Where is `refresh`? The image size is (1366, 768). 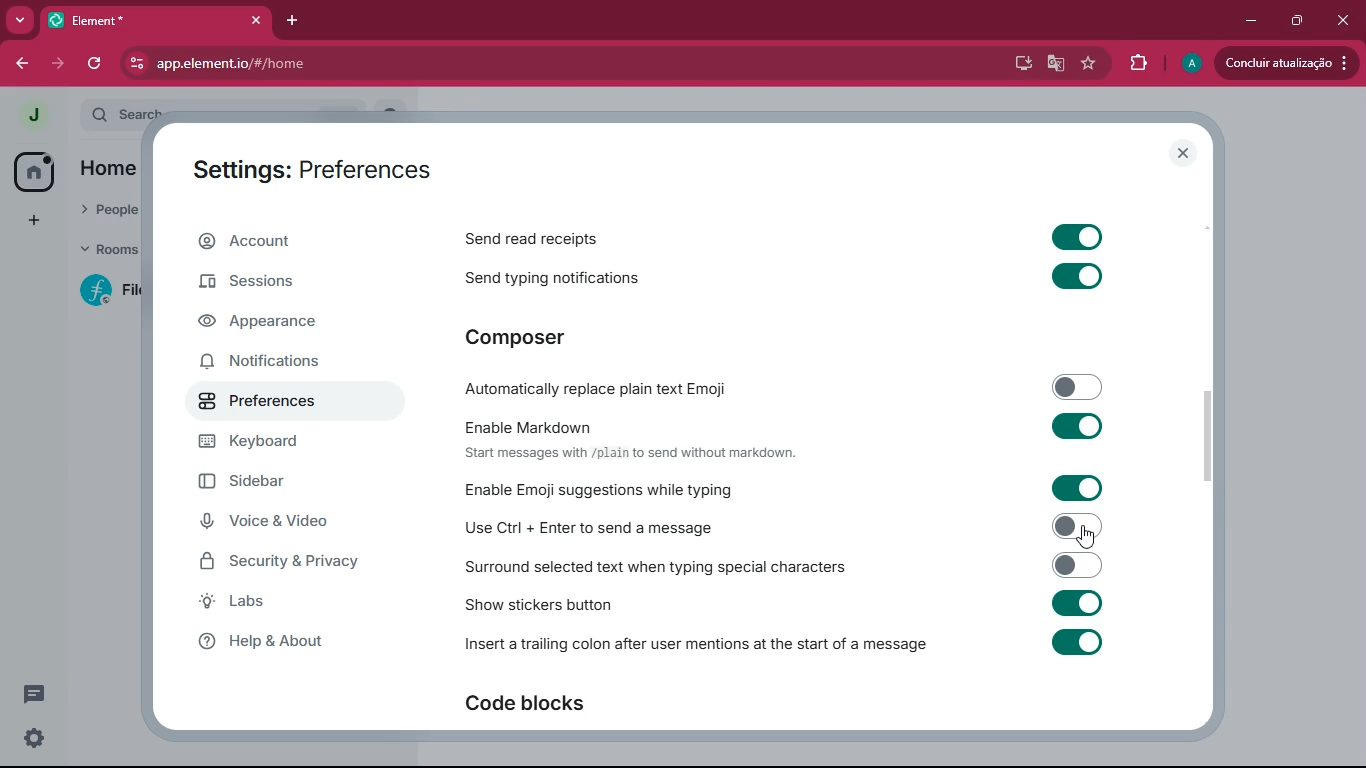
refresh is located at coordinates (99, 64).